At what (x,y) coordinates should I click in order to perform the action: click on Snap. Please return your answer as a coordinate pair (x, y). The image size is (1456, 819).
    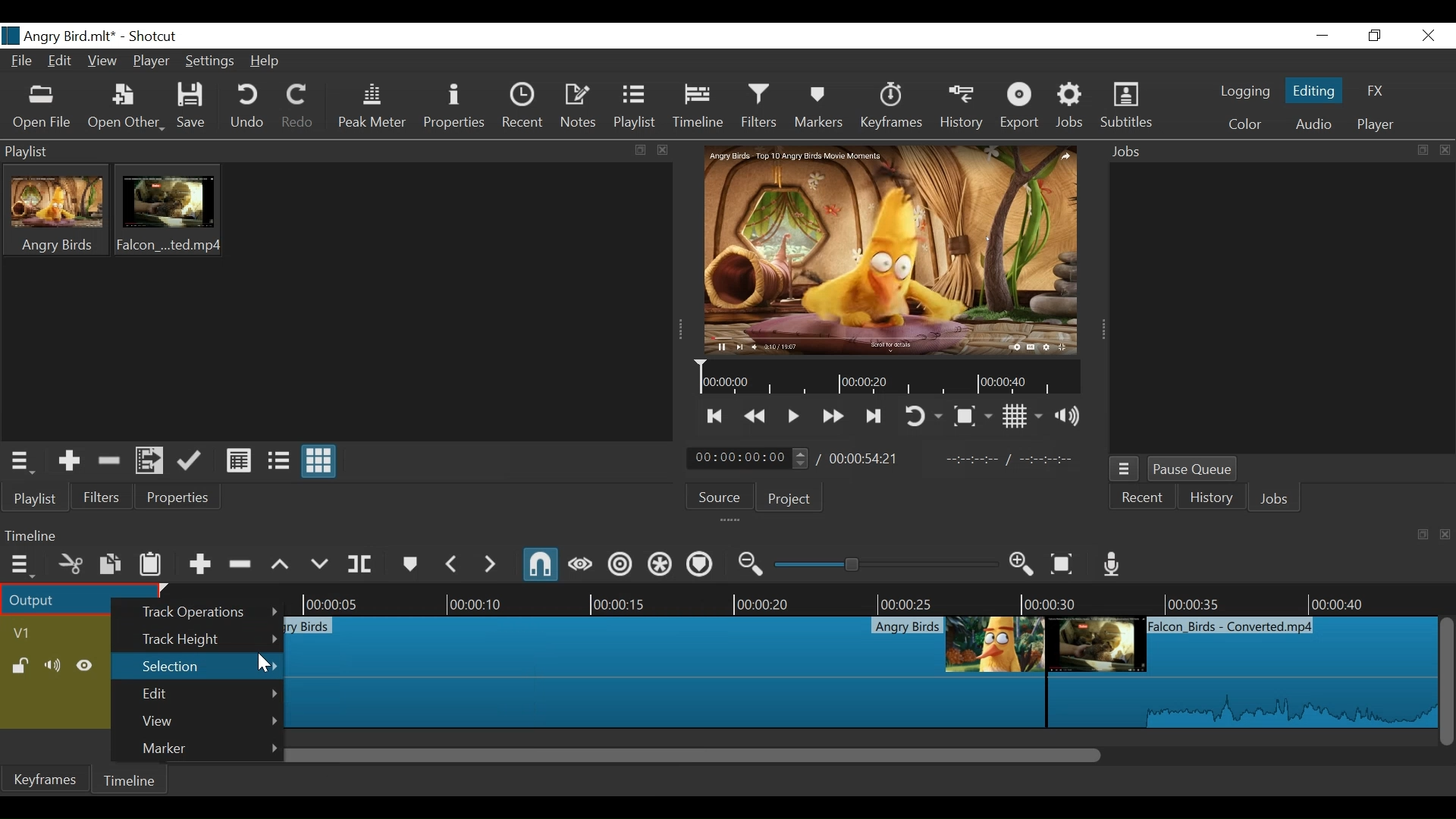
    Looking at the image, I should click on (542, 564).